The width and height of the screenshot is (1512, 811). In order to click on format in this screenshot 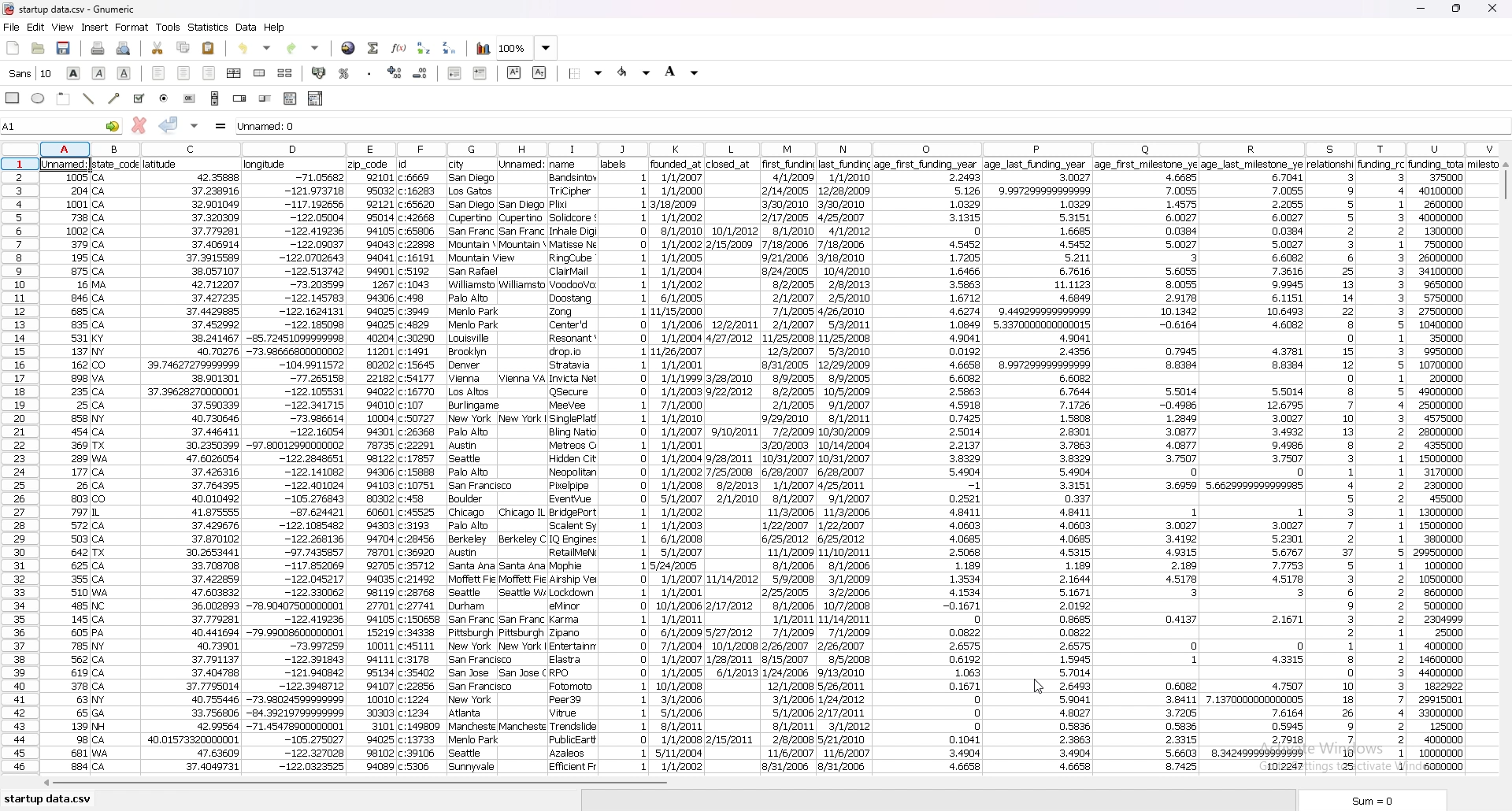, I will do `click(133, 28)`.